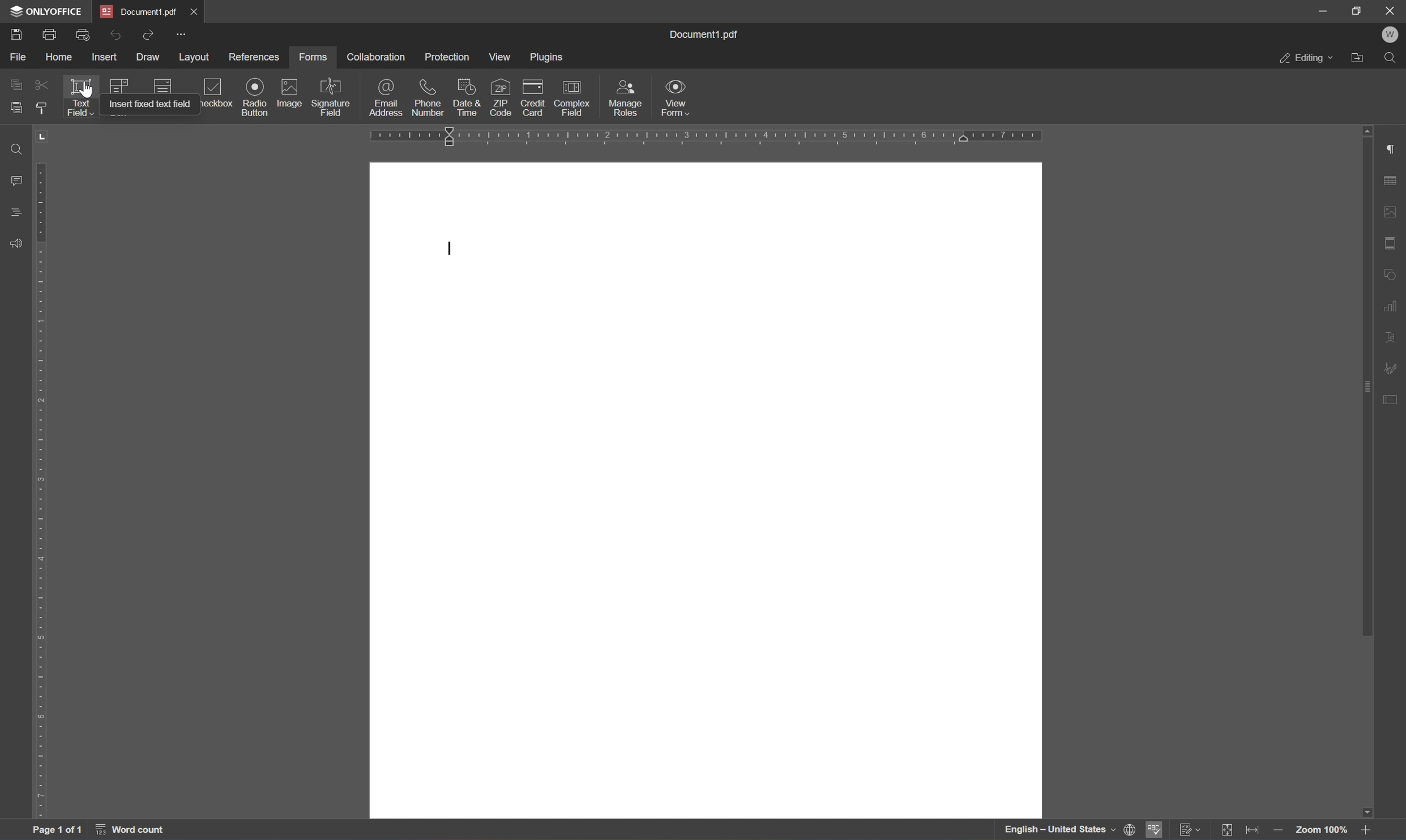 The image size is (1406, 840). What do you see at coordinates (254, 59) in the screenshot?
I see `references` at bounding box center [254, 59].